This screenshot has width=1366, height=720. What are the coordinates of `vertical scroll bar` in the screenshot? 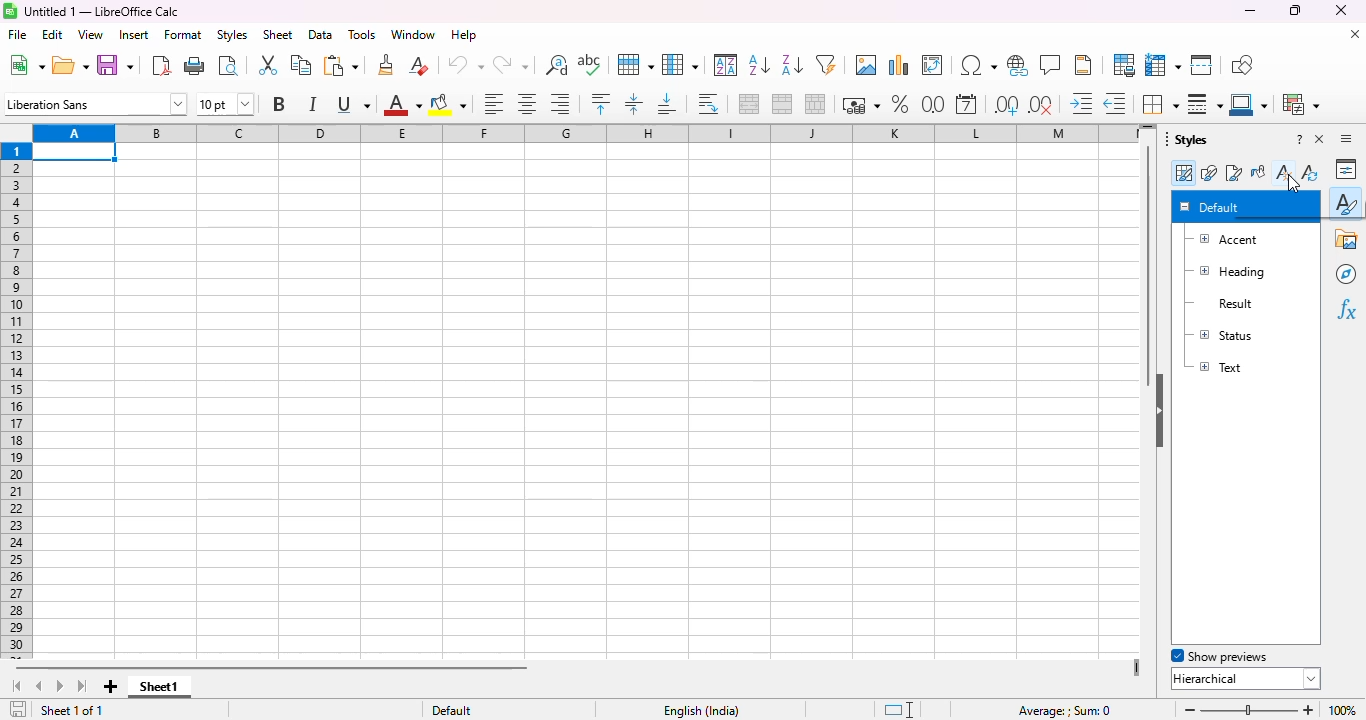 It's located at (1149, 266).